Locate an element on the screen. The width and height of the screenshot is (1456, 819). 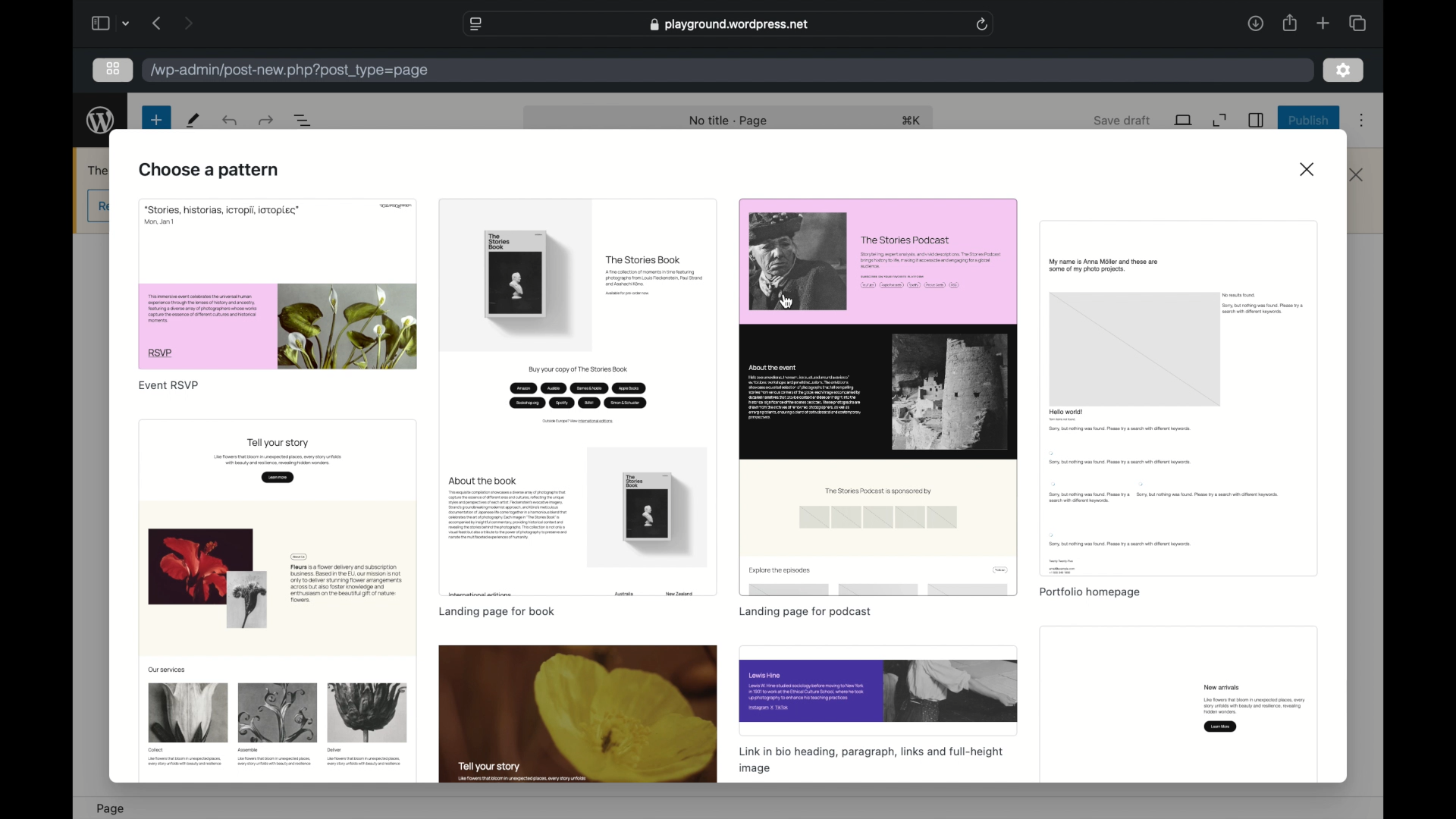
document overview is located at coordinates (303, 121).